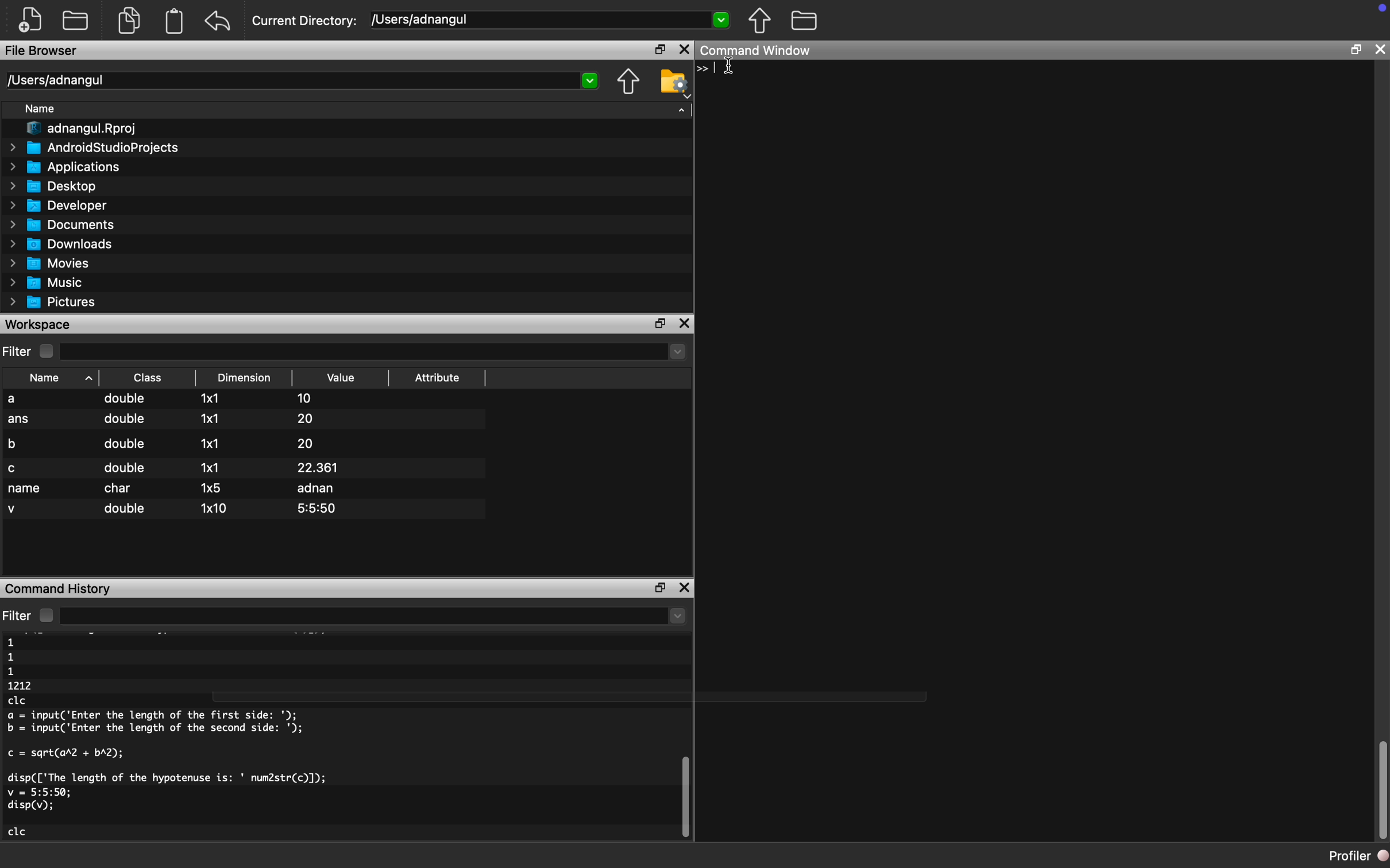 The height and width of the screenshot is (868, 1390). I want to click on Pictures, so click(51, 303).